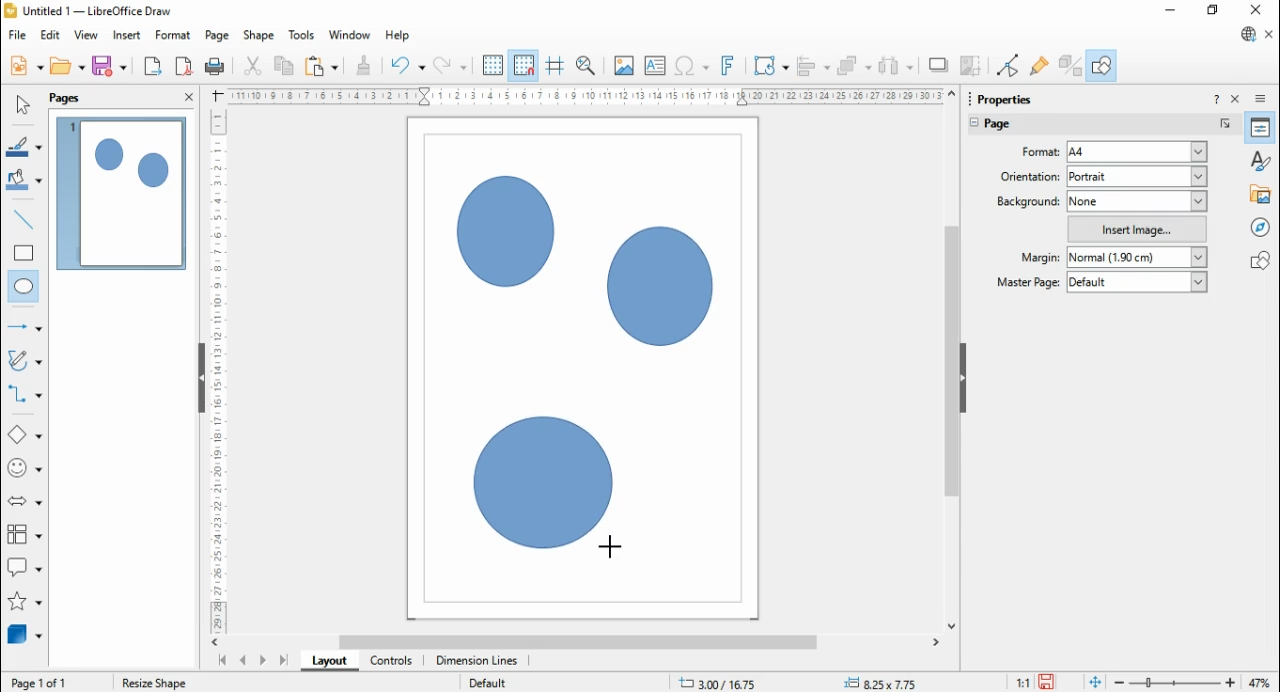 The image size is (1280, 692). Describe the element at coordinates (26, 361) in the screenshot. I see `curves and polygons` at that location.